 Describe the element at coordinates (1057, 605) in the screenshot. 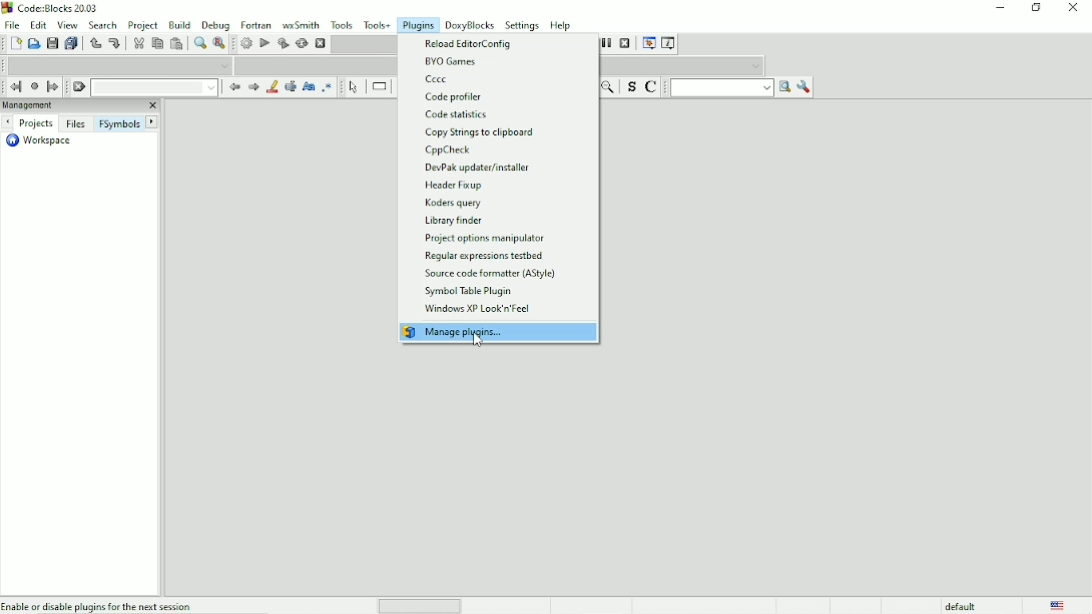

I see `Language` at that location.